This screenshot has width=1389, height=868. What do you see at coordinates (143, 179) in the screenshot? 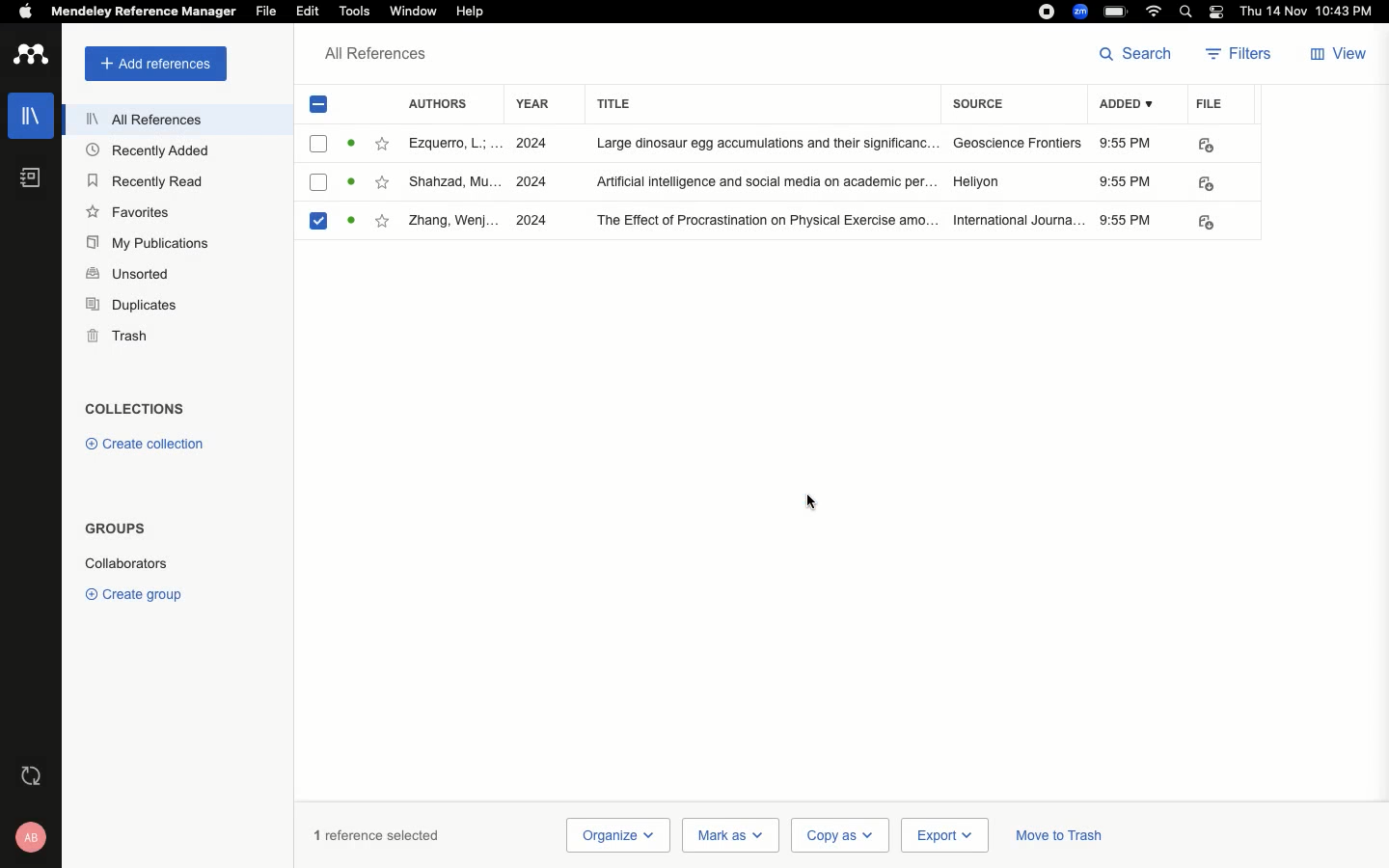
I see `Recently read` at bounding box center [143, 179].